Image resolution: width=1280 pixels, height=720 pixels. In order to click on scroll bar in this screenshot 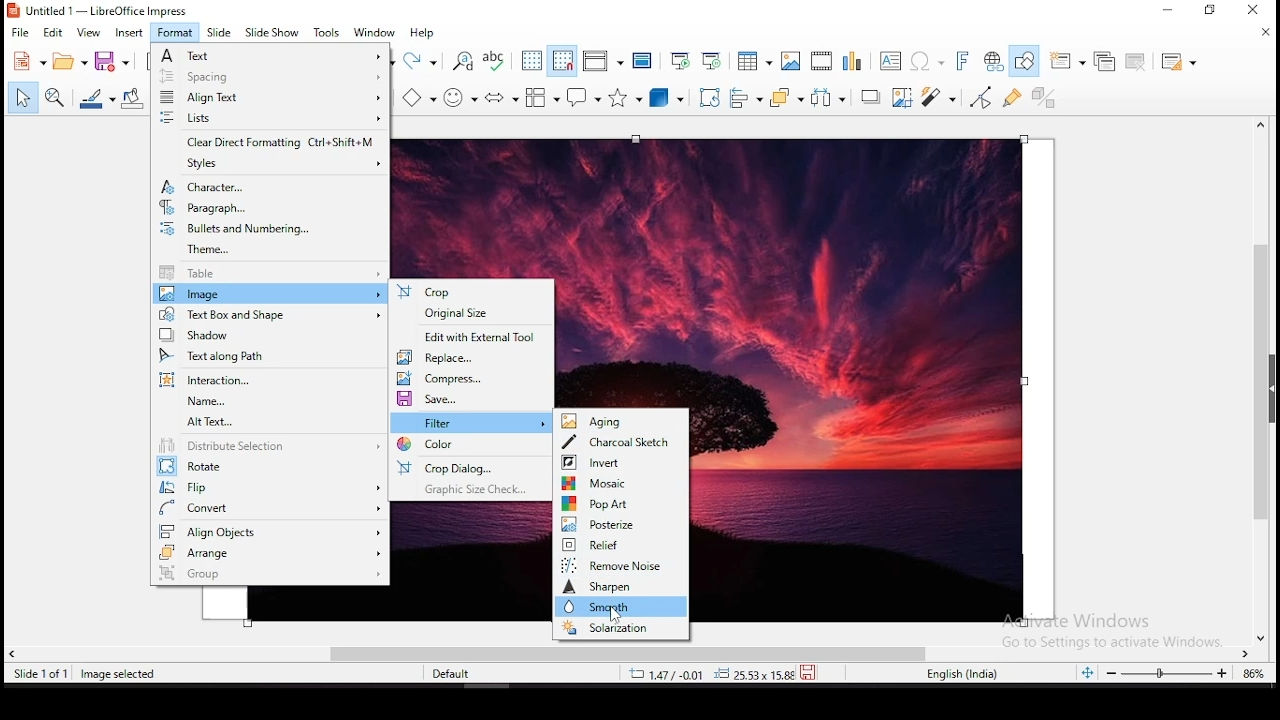, I will do `click(1267, 380)`.